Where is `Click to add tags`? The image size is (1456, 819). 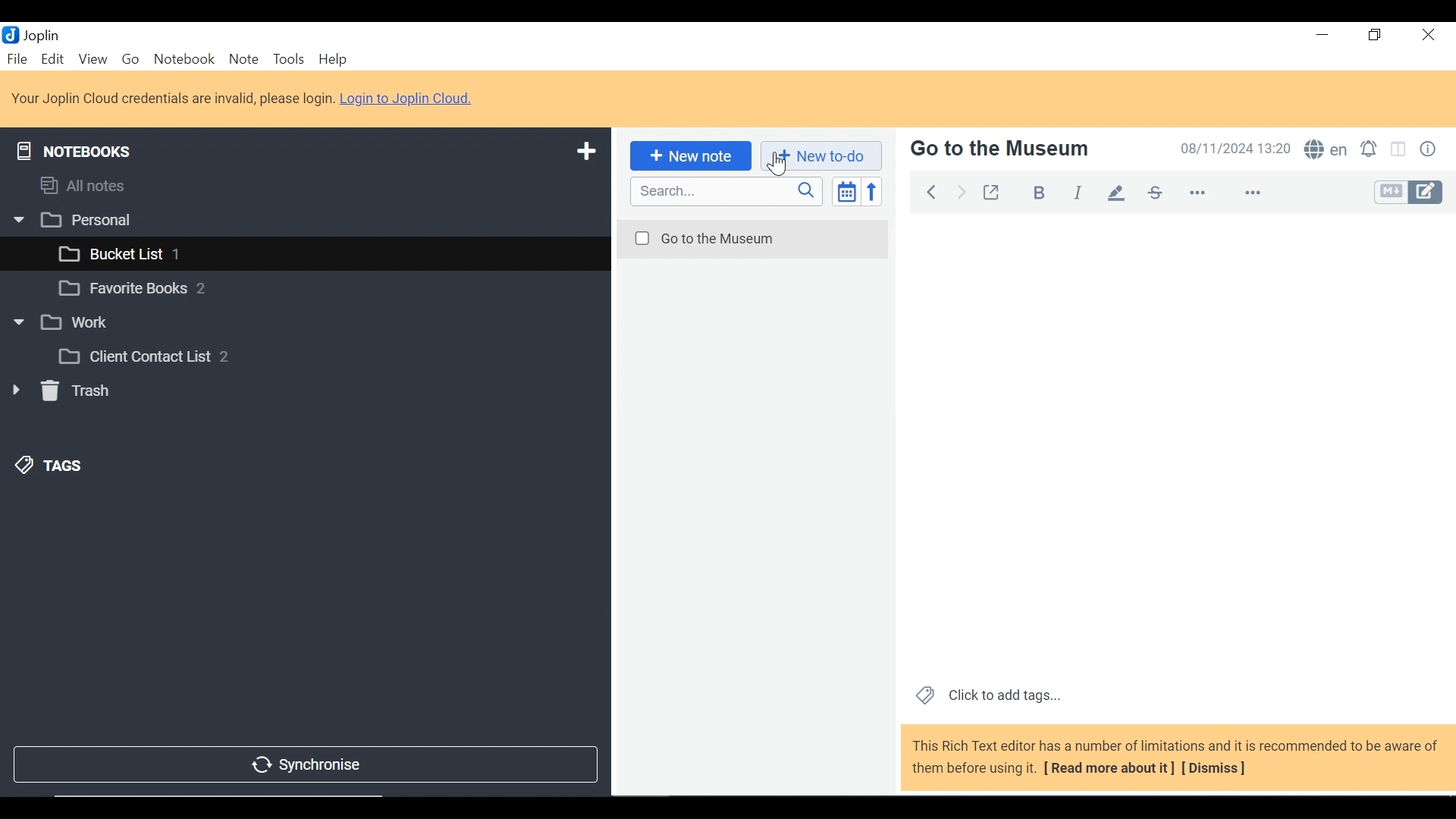 Click to add tags is located at coordinates (988, 696).